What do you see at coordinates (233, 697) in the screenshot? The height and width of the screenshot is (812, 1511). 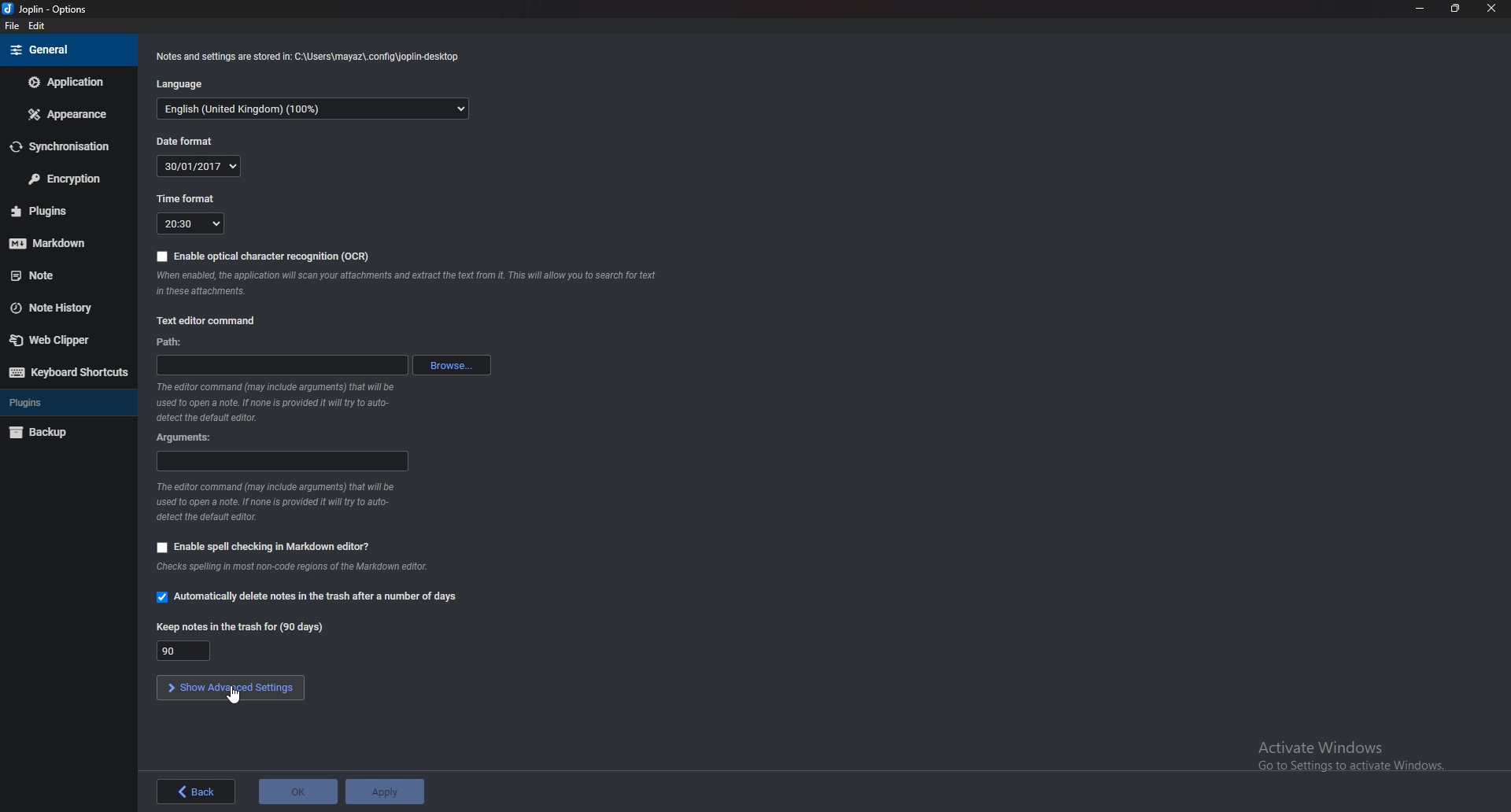 I see `cursor` at bounding box center [233, 697].